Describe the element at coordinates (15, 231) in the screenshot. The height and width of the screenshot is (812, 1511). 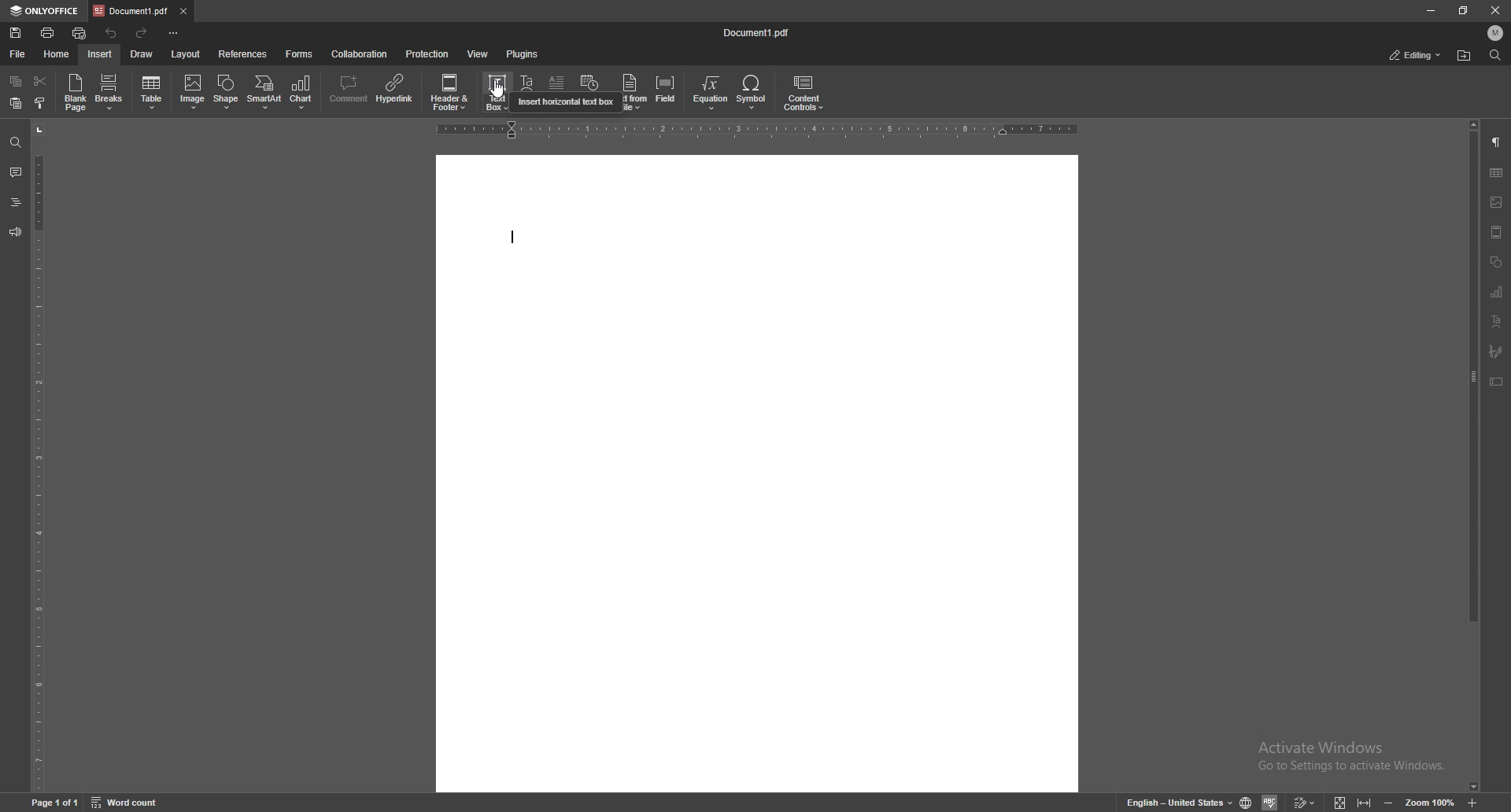
I see `feedback` at that location.